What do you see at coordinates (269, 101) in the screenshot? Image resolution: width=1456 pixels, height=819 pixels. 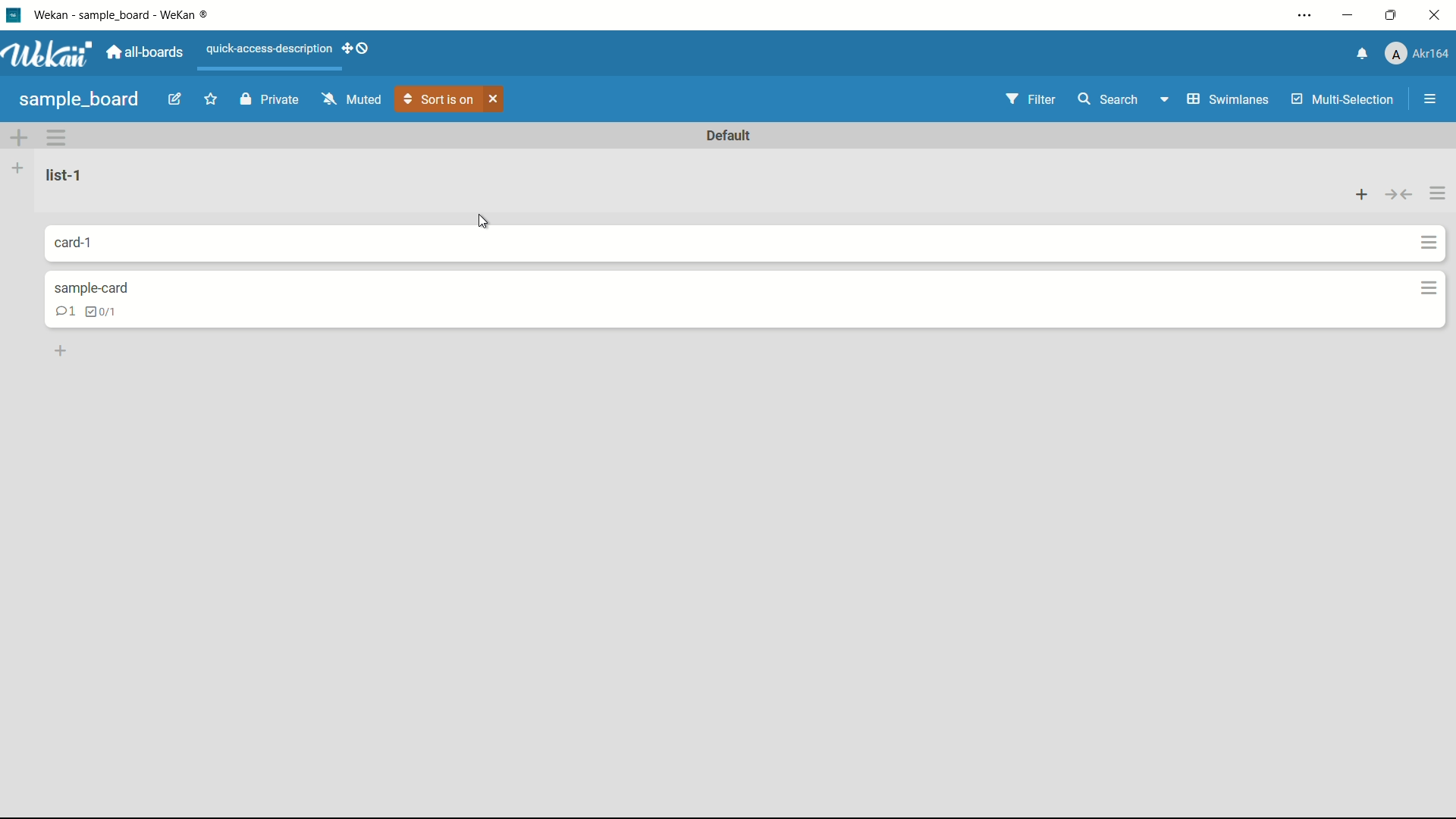 I see `private` at bounding box center [269, 101].